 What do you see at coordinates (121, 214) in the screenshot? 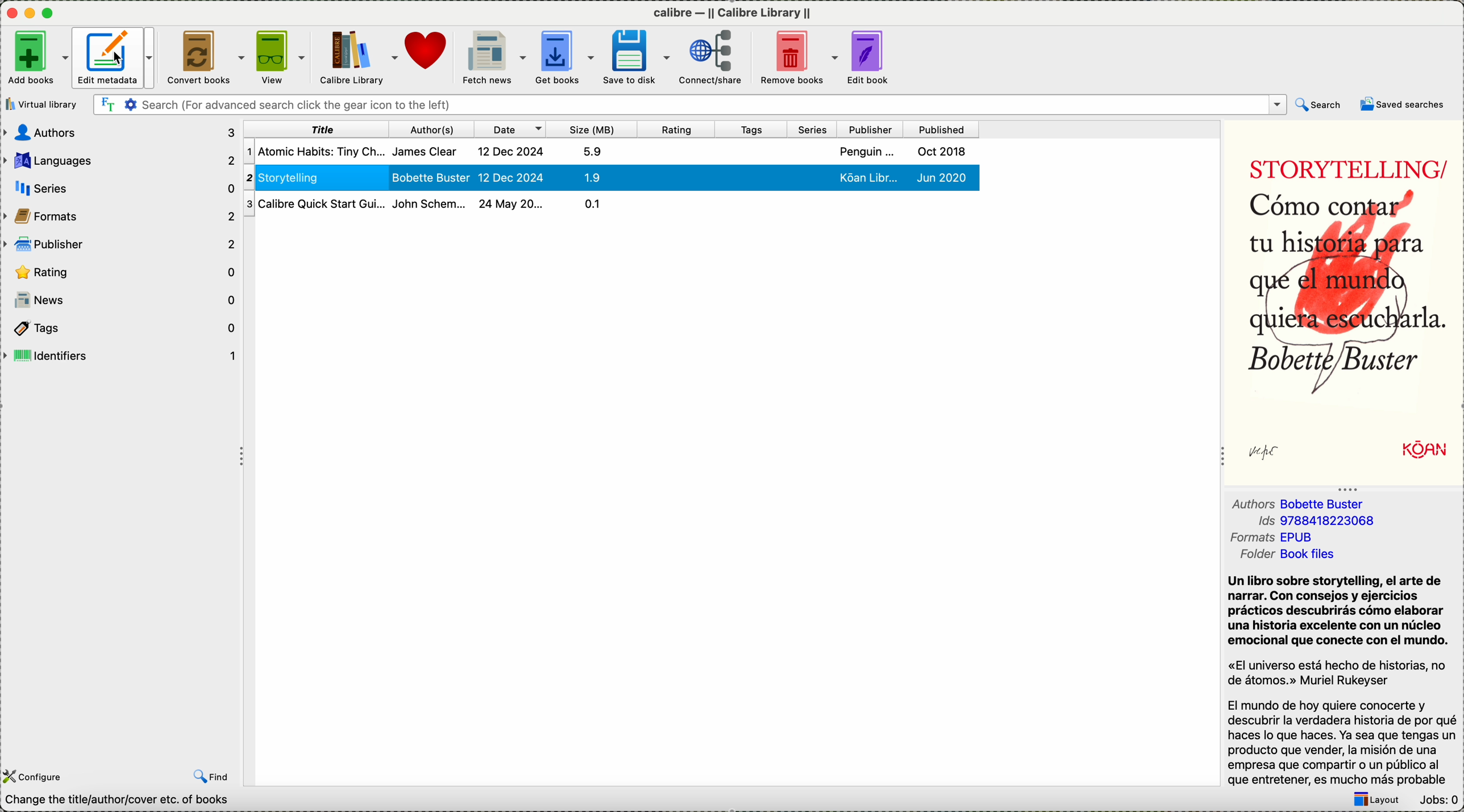
I see `formats` at bounding box center [121, 214].